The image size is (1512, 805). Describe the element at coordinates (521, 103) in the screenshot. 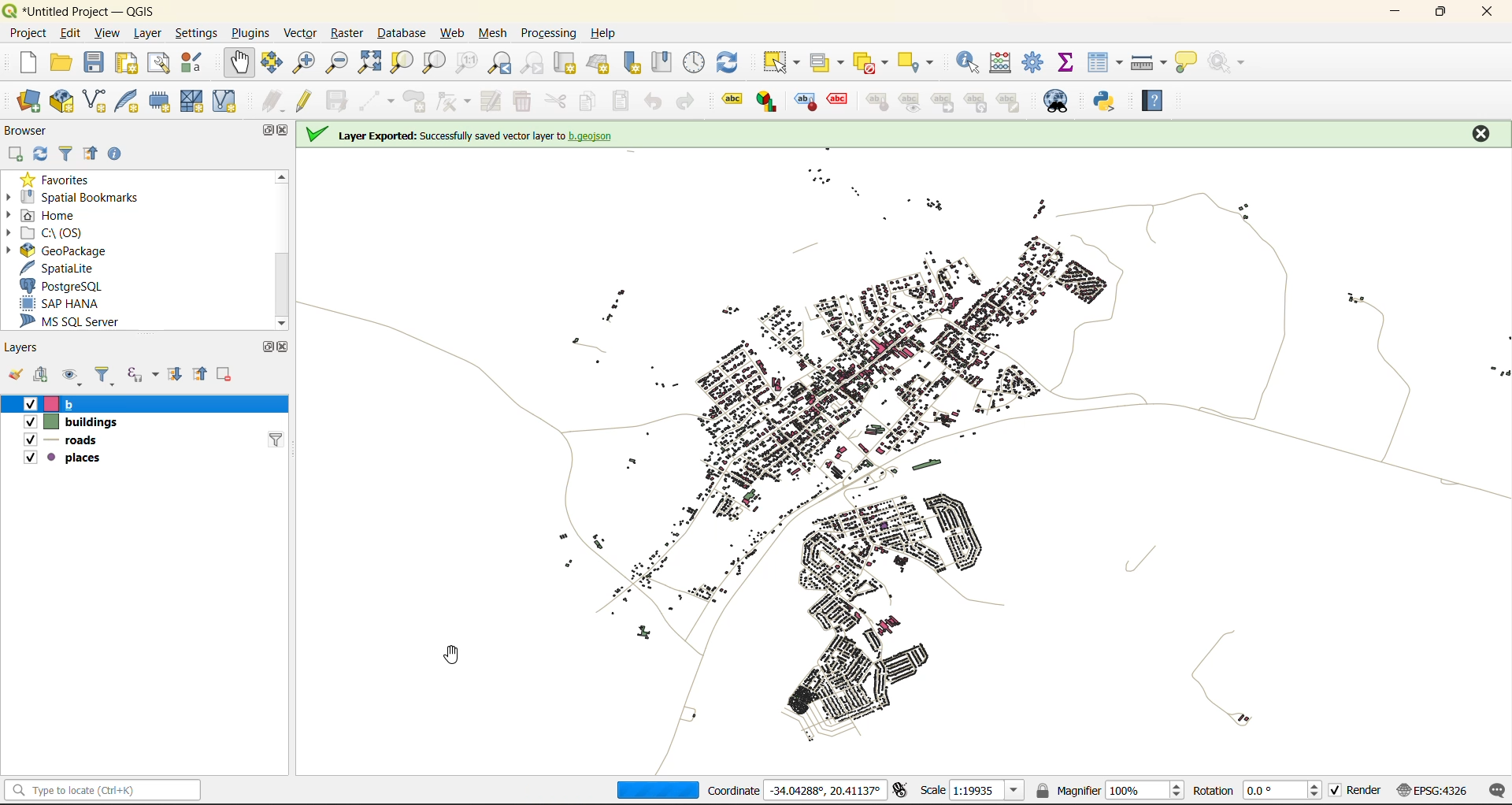

I see `delete` at that location.